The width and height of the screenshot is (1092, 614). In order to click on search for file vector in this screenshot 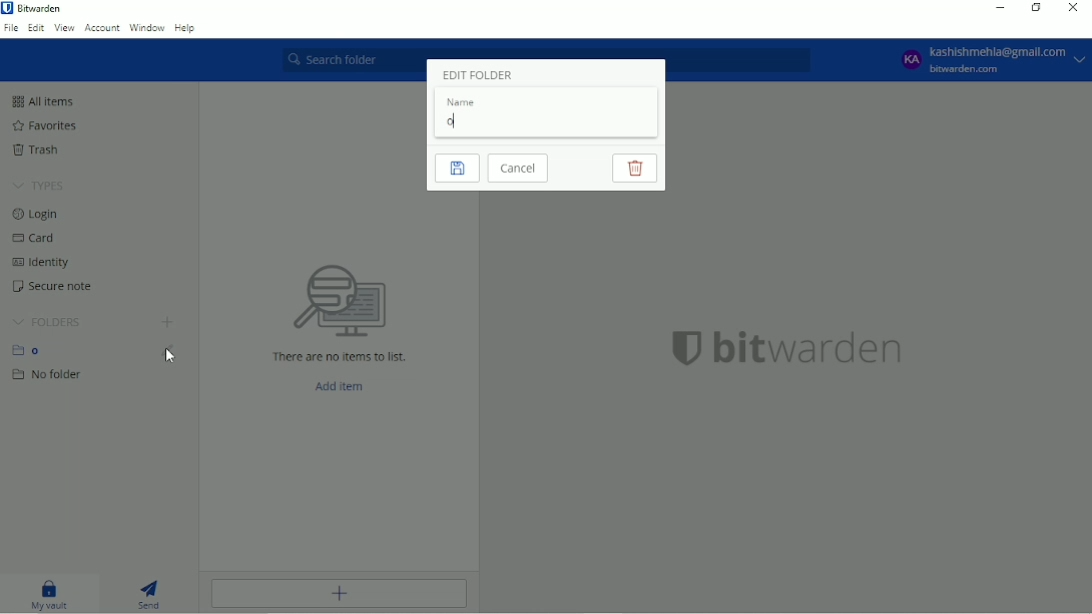, I will do `click(338, 300)`.